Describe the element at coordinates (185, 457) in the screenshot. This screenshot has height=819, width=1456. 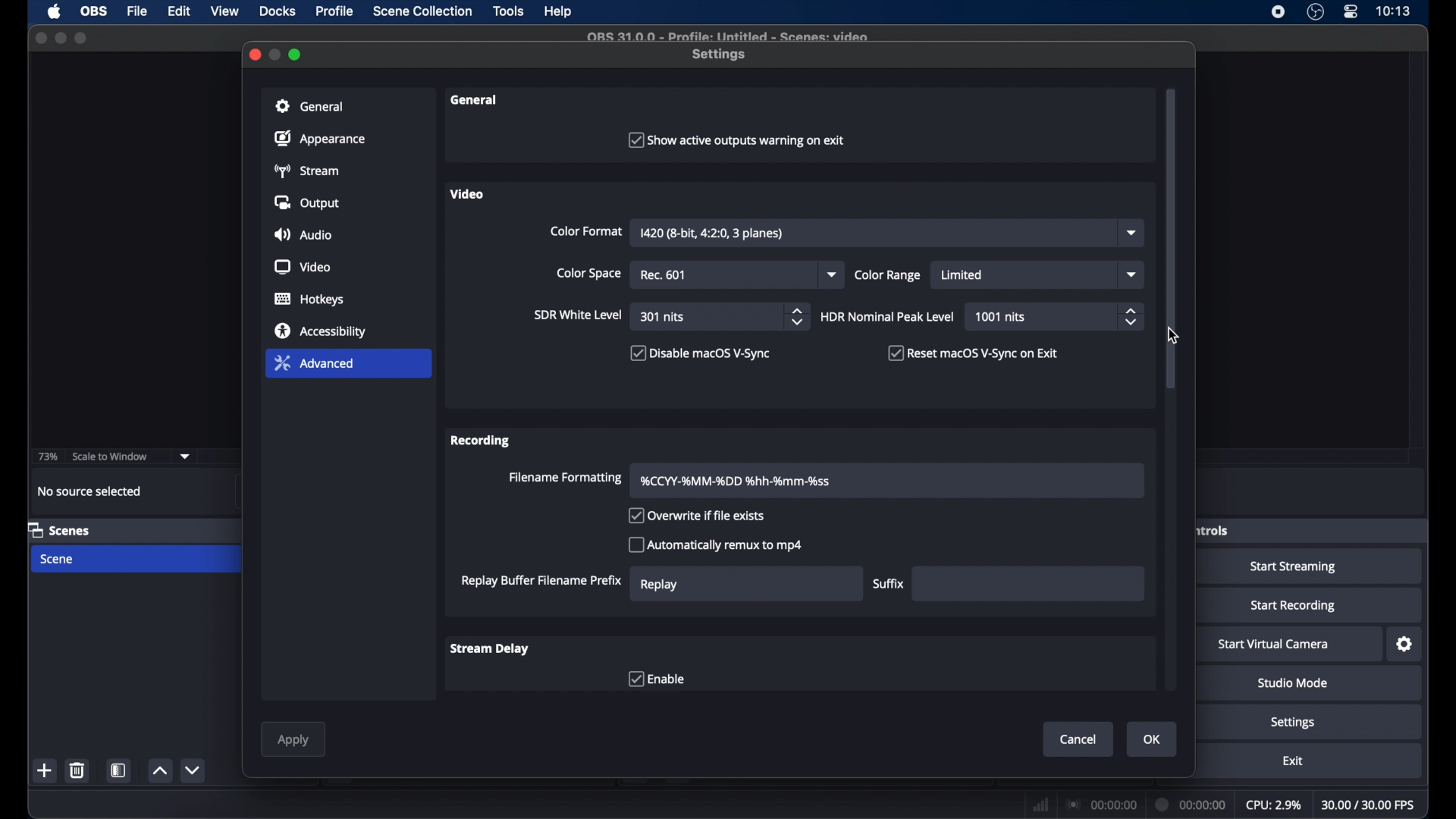
I see `dropdown` at that location.